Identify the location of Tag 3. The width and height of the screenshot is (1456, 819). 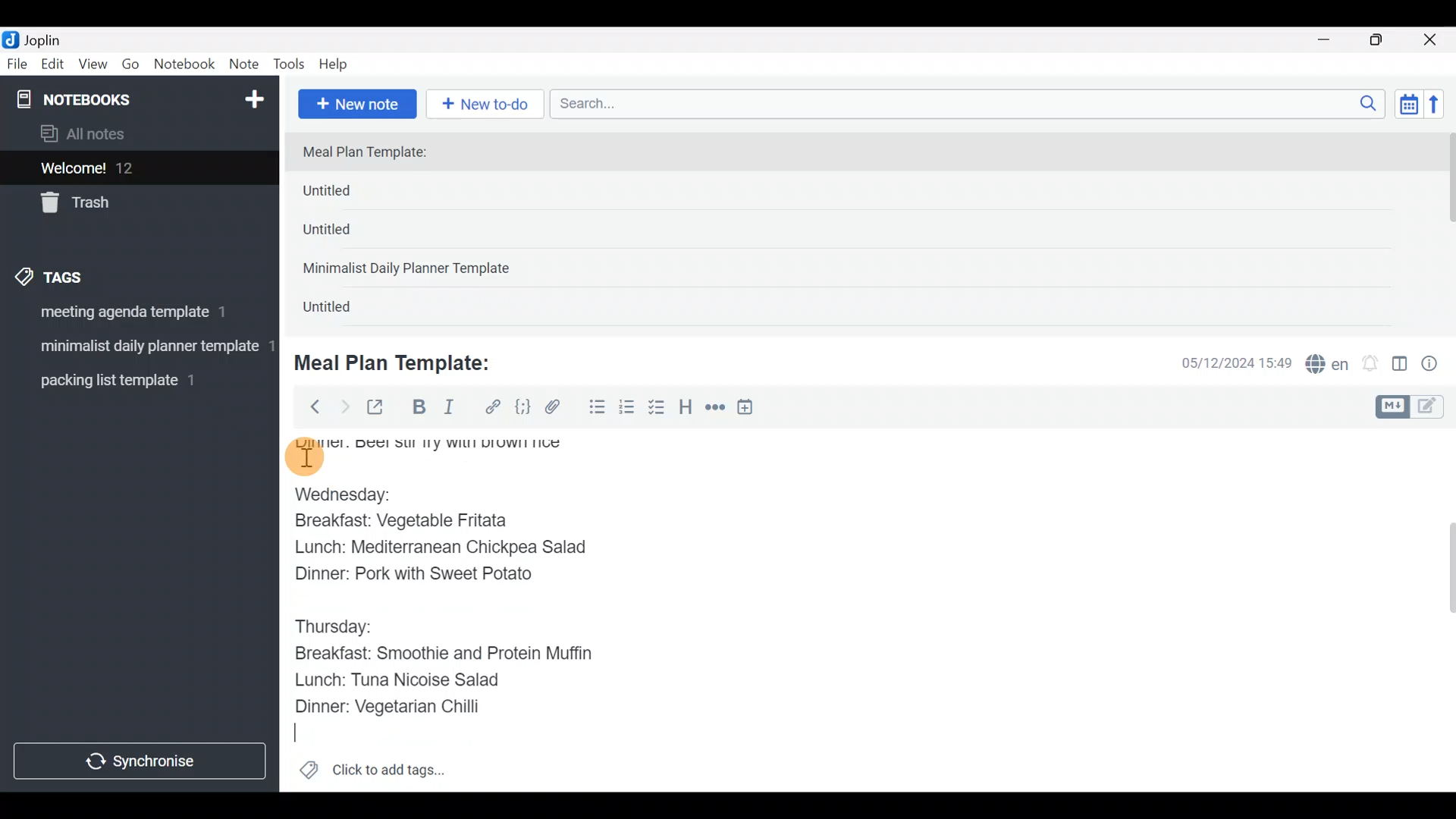
(134, 380).